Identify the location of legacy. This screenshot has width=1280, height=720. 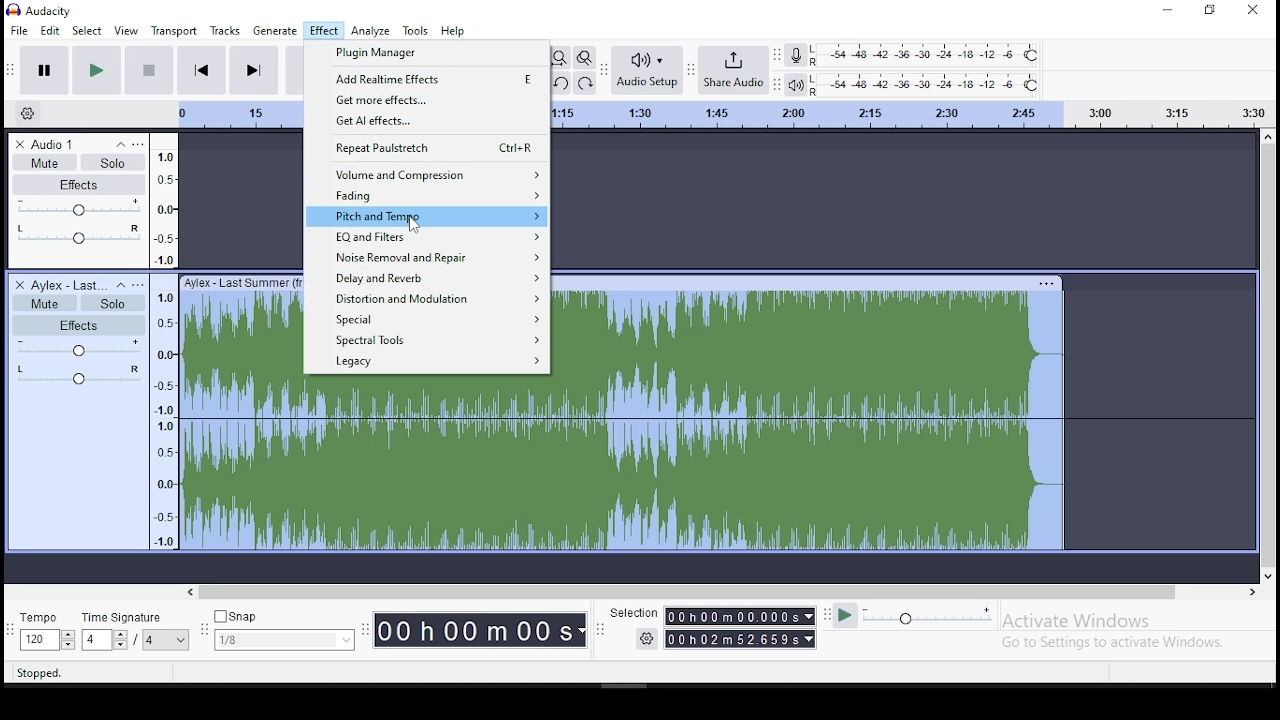
(426, 363).